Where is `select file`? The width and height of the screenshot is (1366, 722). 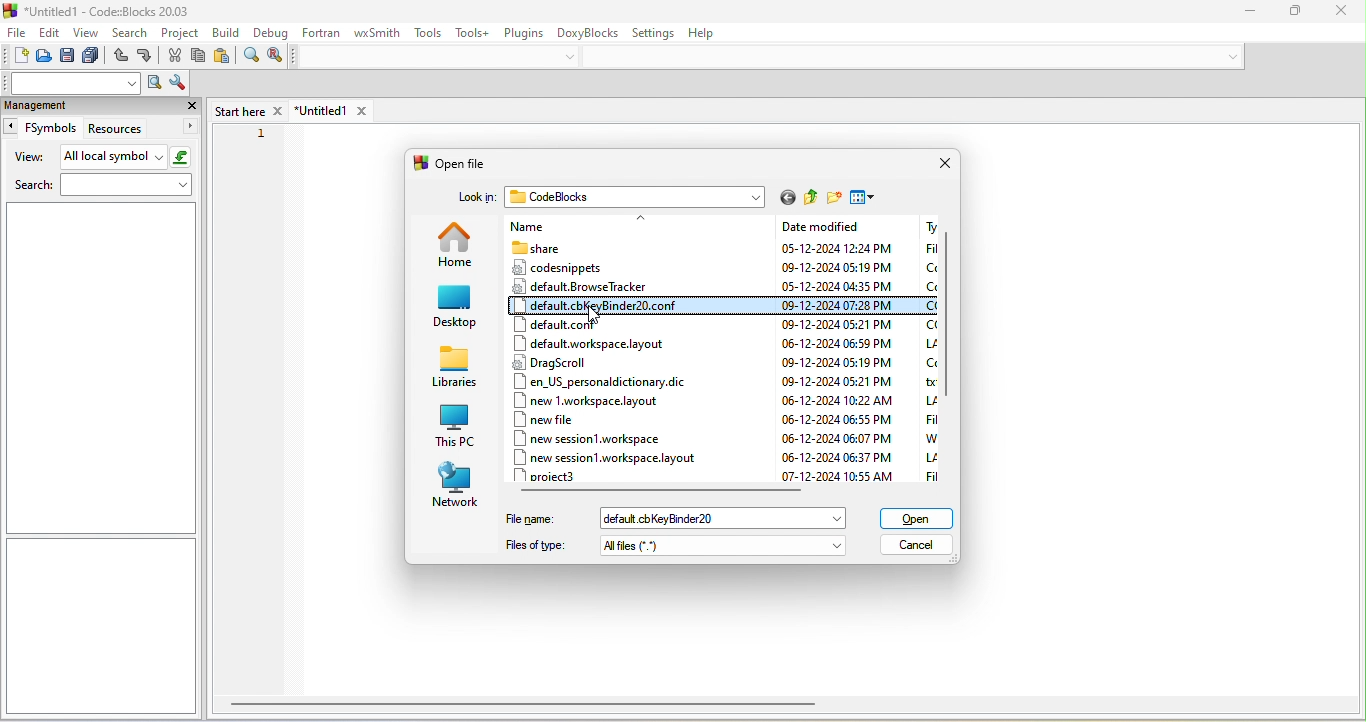 select file is located at coordinates (709, 304).